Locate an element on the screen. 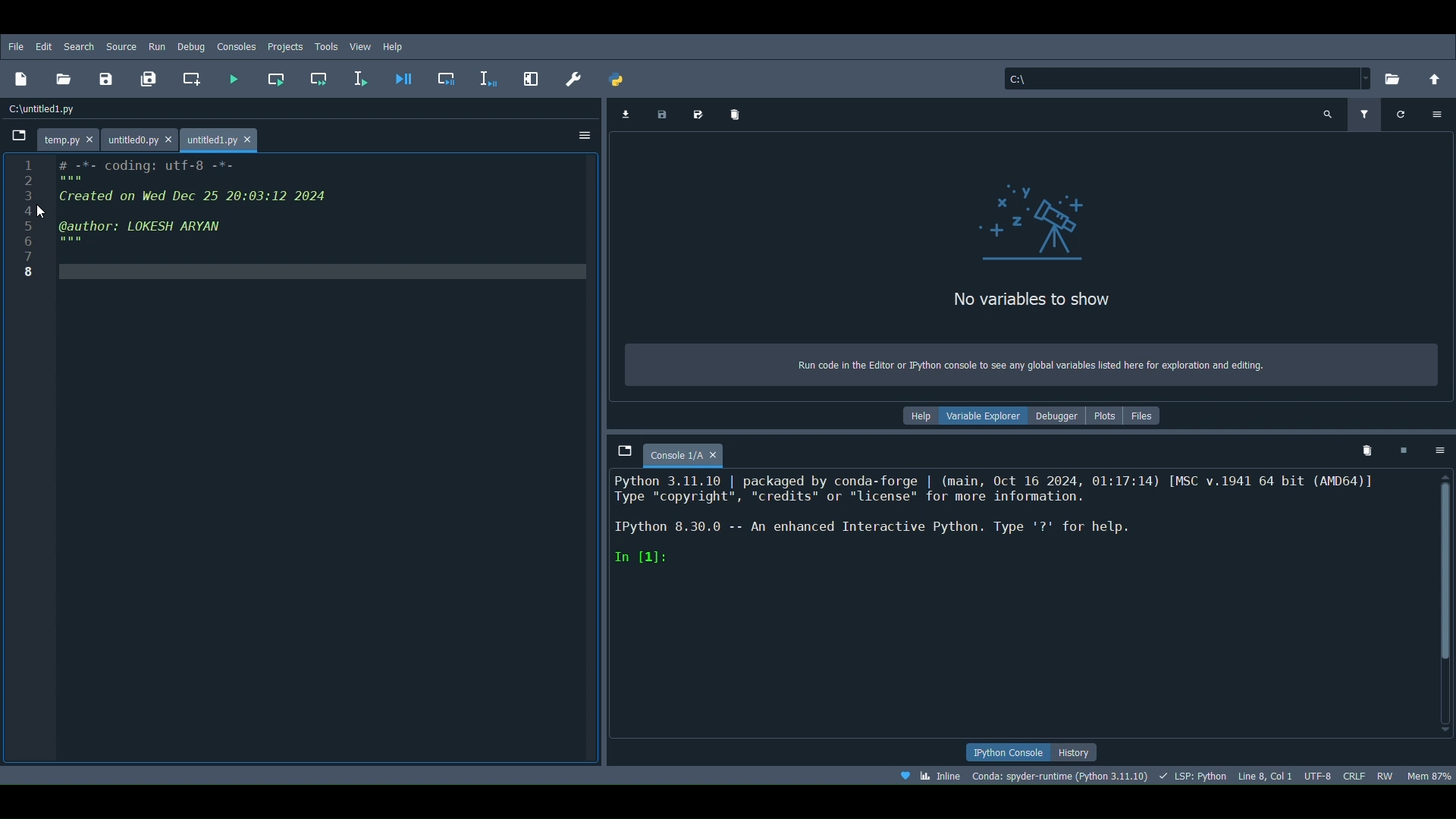  Debug selection or current line is located at coordinates (488, 76).